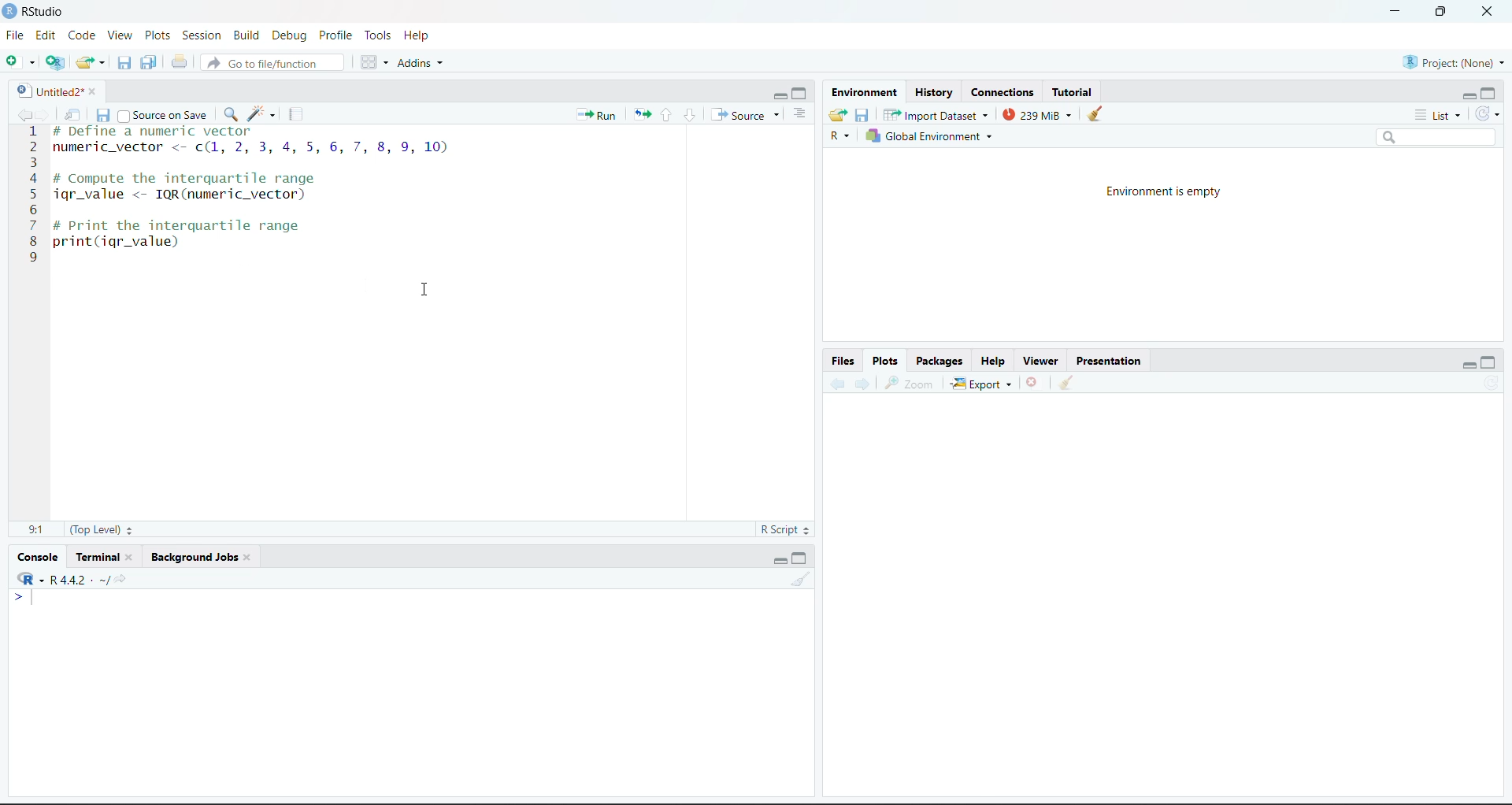 The height and width of the screenshot is (805, 1512). What do you see at coordinates (887, 360) in the screenshot?
I see `Plots` at bounding box center [887, 360].